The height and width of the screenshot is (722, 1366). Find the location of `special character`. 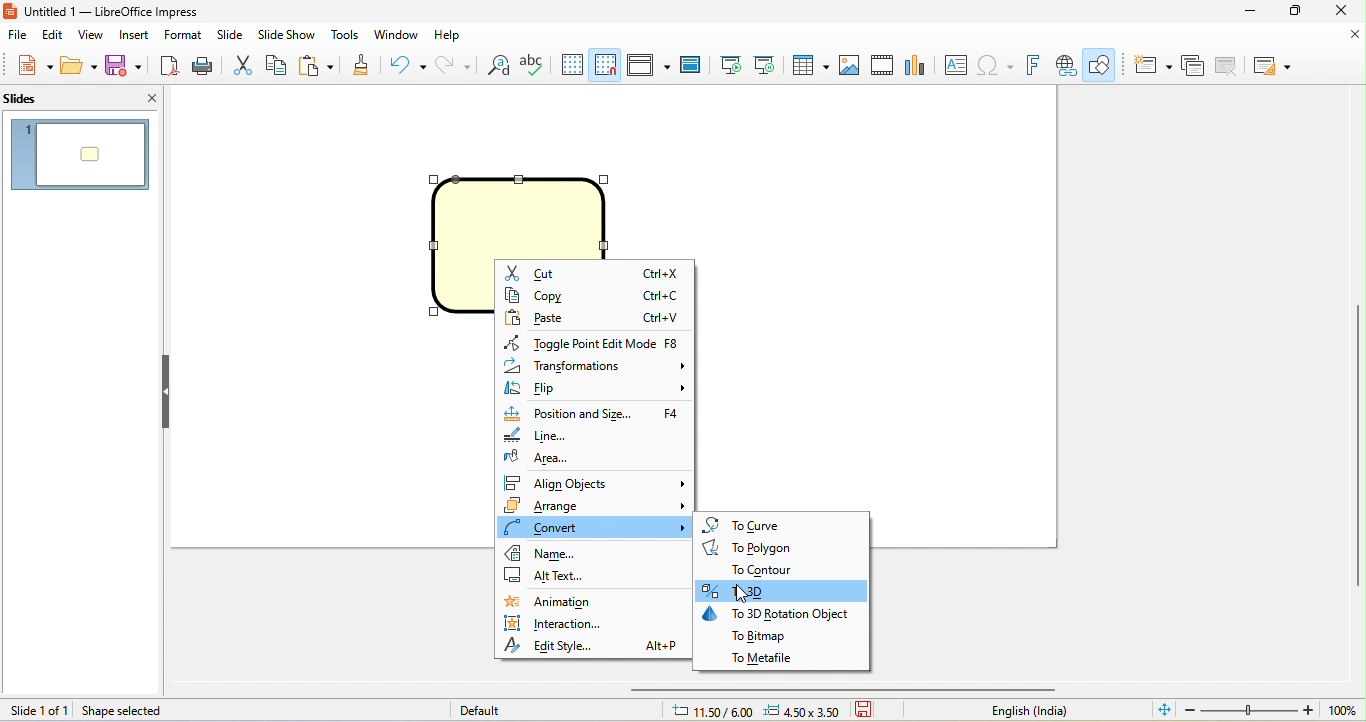

special character is located at coordinates (998, 65).